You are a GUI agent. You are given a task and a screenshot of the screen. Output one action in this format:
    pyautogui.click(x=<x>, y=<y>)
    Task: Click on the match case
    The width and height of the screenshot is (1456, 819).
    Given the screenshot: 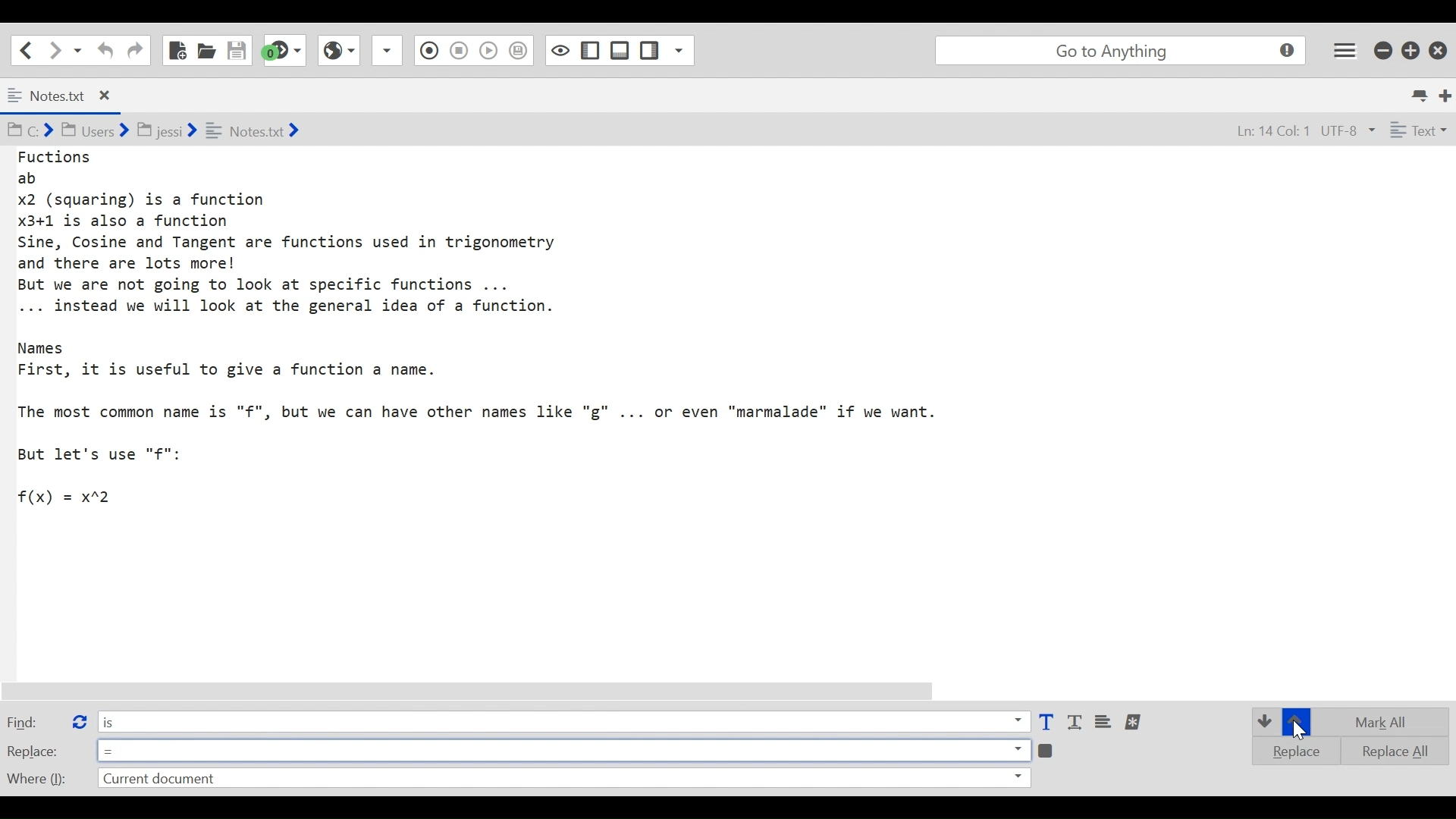 What is the action you would take?
    pyautogui.click(x=1046, y=723)
    